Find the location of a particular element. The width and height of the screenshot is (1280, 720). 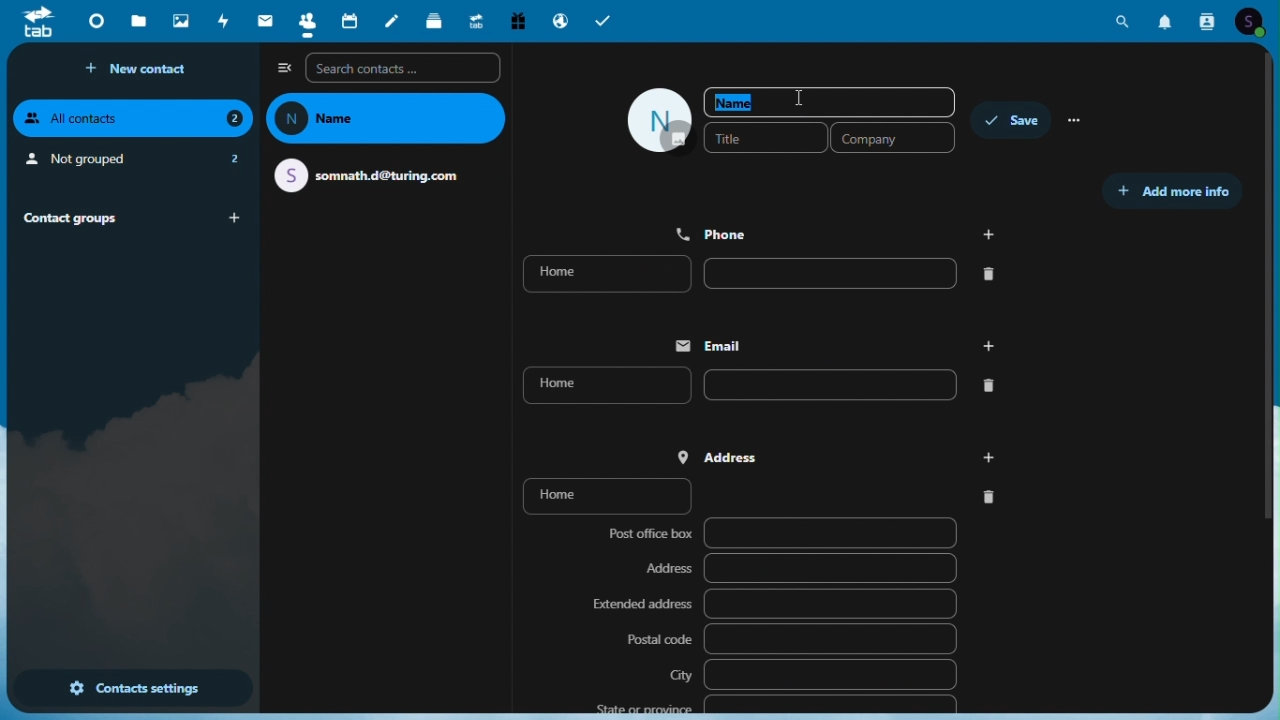

cursor is located at coordinates (801, 98).